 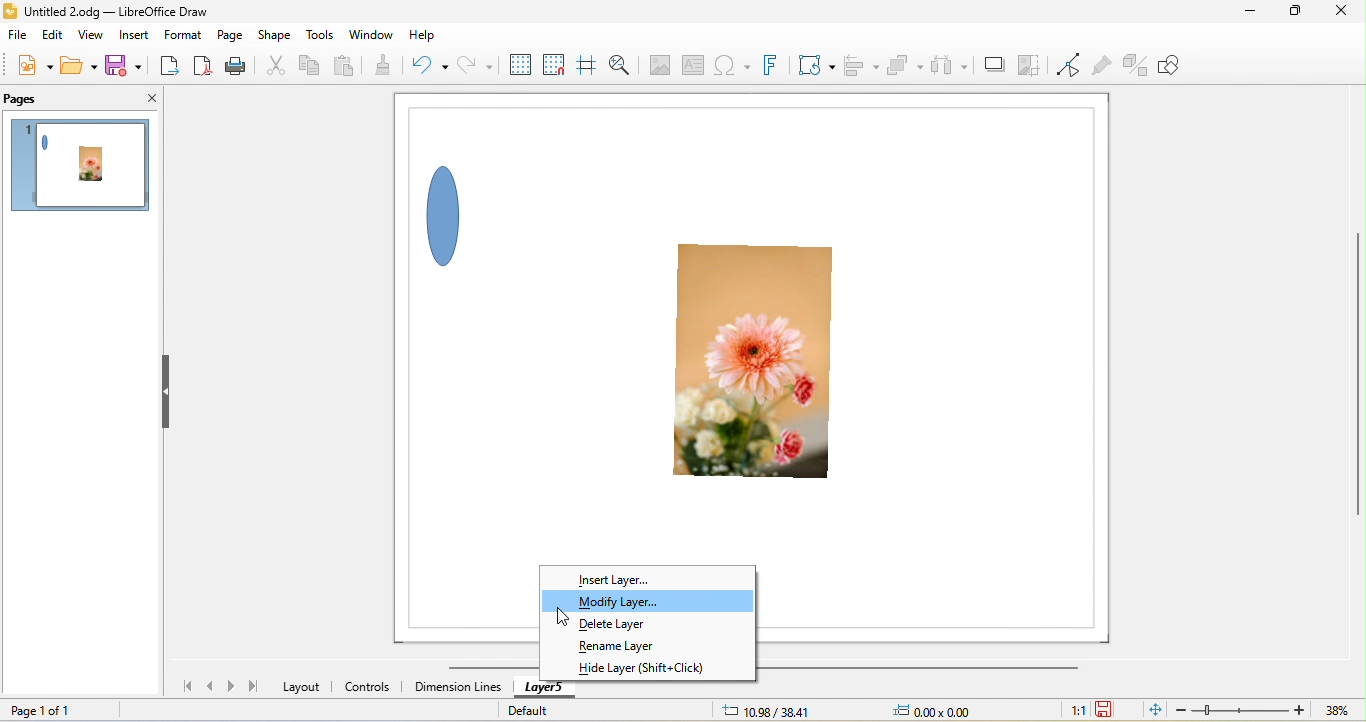 I want to click on shape , so click(x=277, y=35).